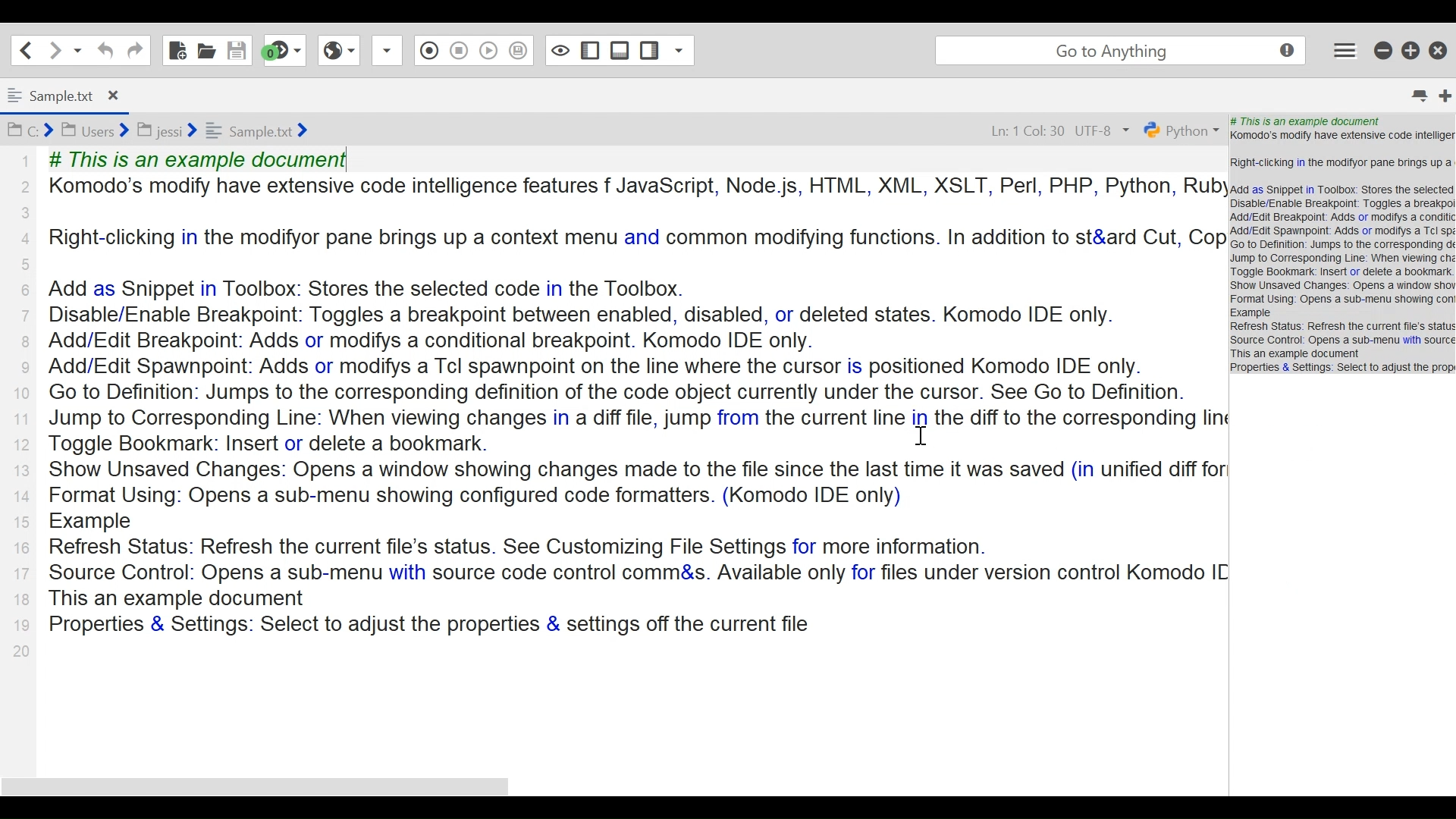  I want to click on New Tab, so click(1440, 92).